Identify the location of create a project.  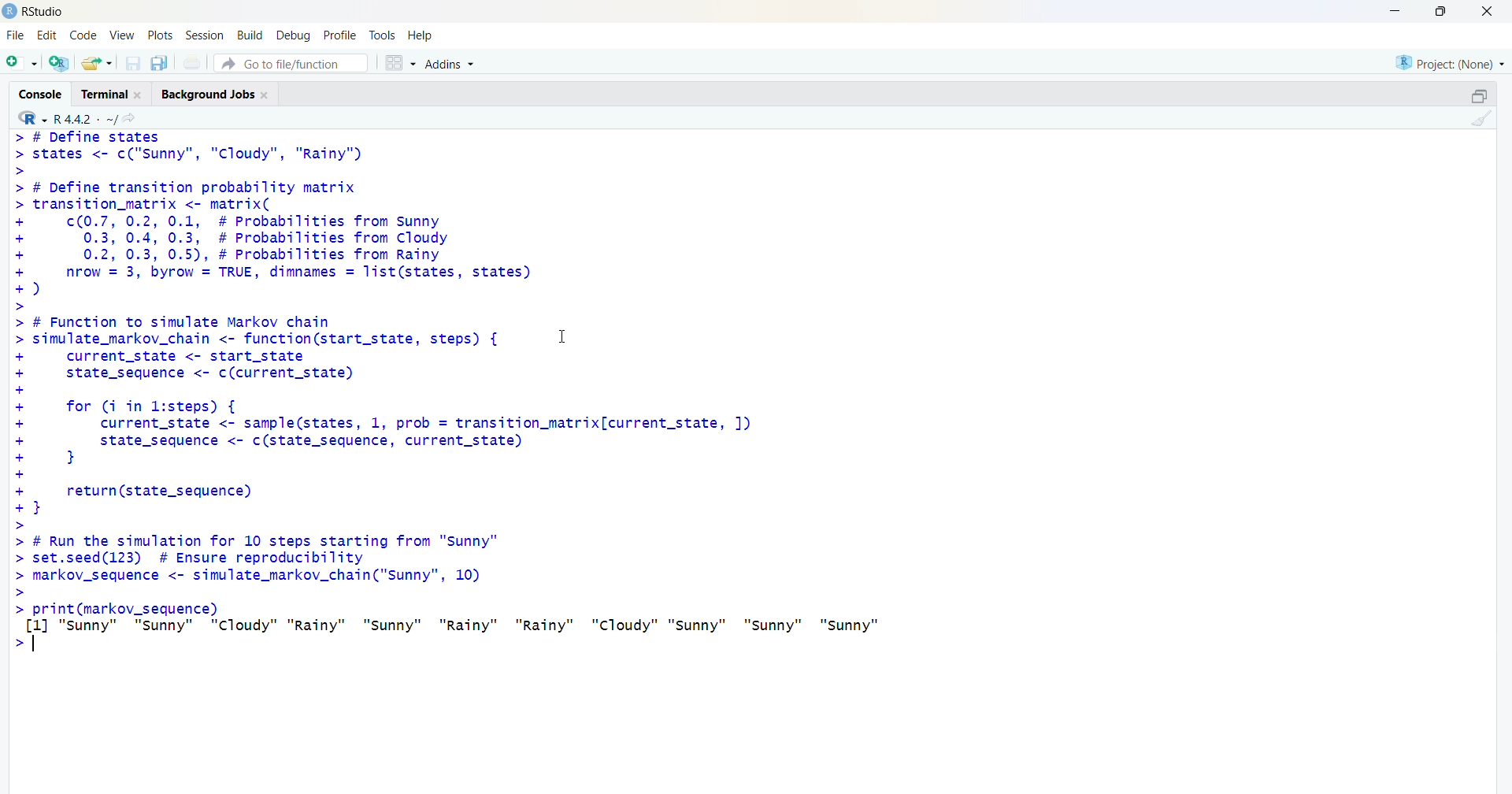
(57, 64).